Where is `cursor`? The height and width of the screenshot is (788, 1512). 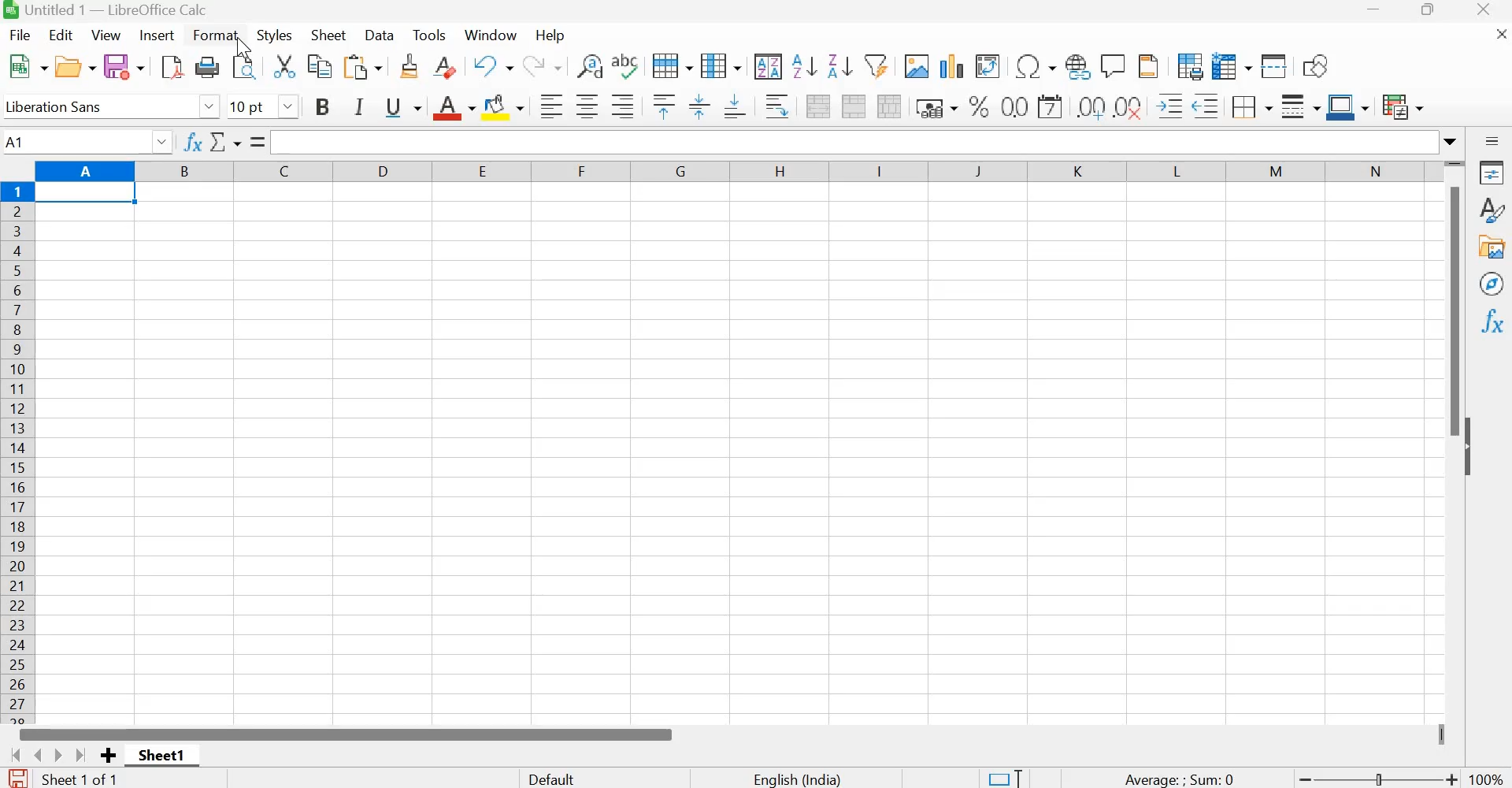 cursor is located at coordinates (245, 50).